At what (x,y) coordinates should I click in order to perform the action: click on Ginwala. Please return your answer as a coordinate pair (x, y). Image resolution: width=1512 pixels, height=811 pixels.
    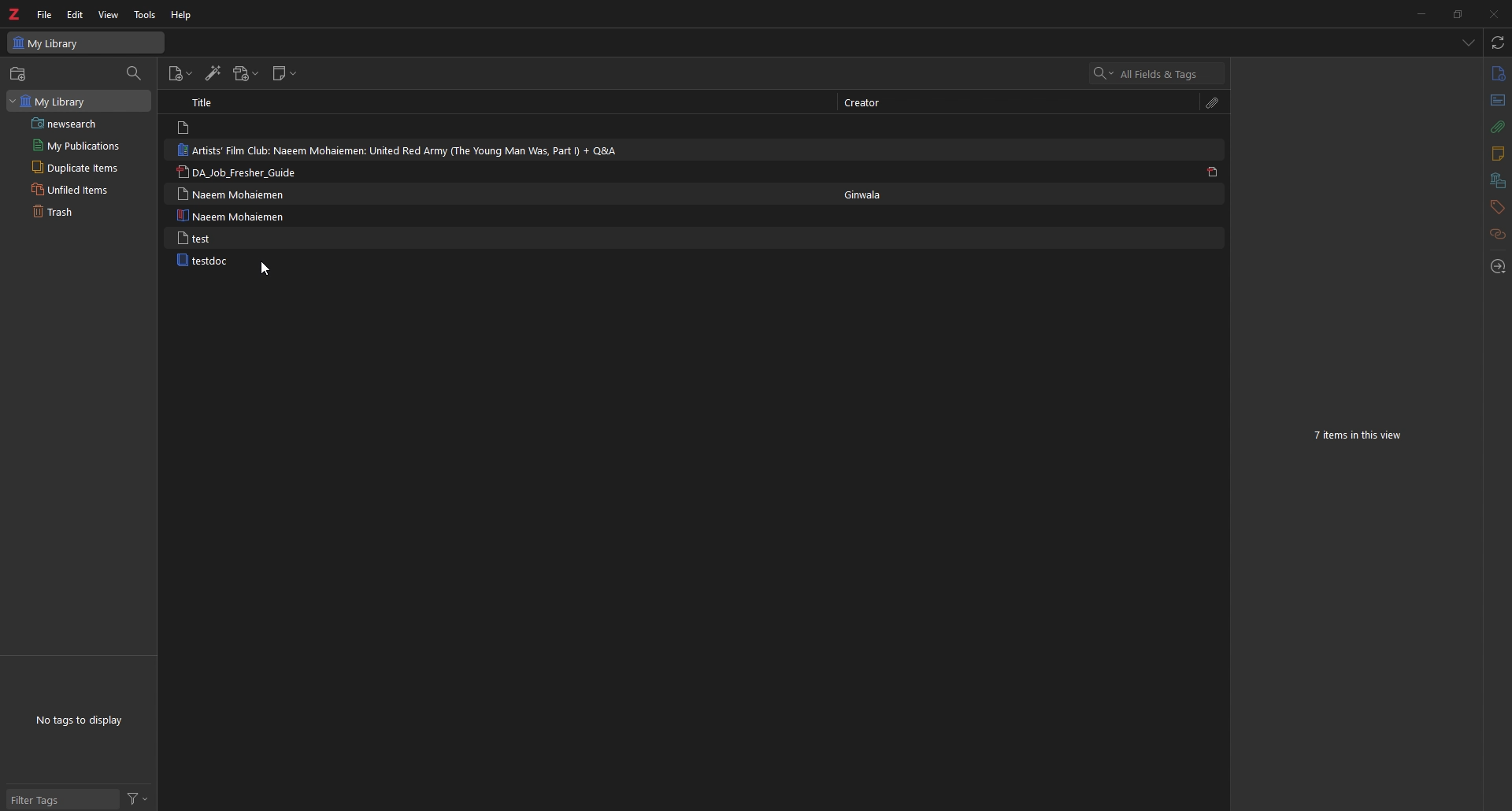
    Looking at the image, I should click on (872, 195).